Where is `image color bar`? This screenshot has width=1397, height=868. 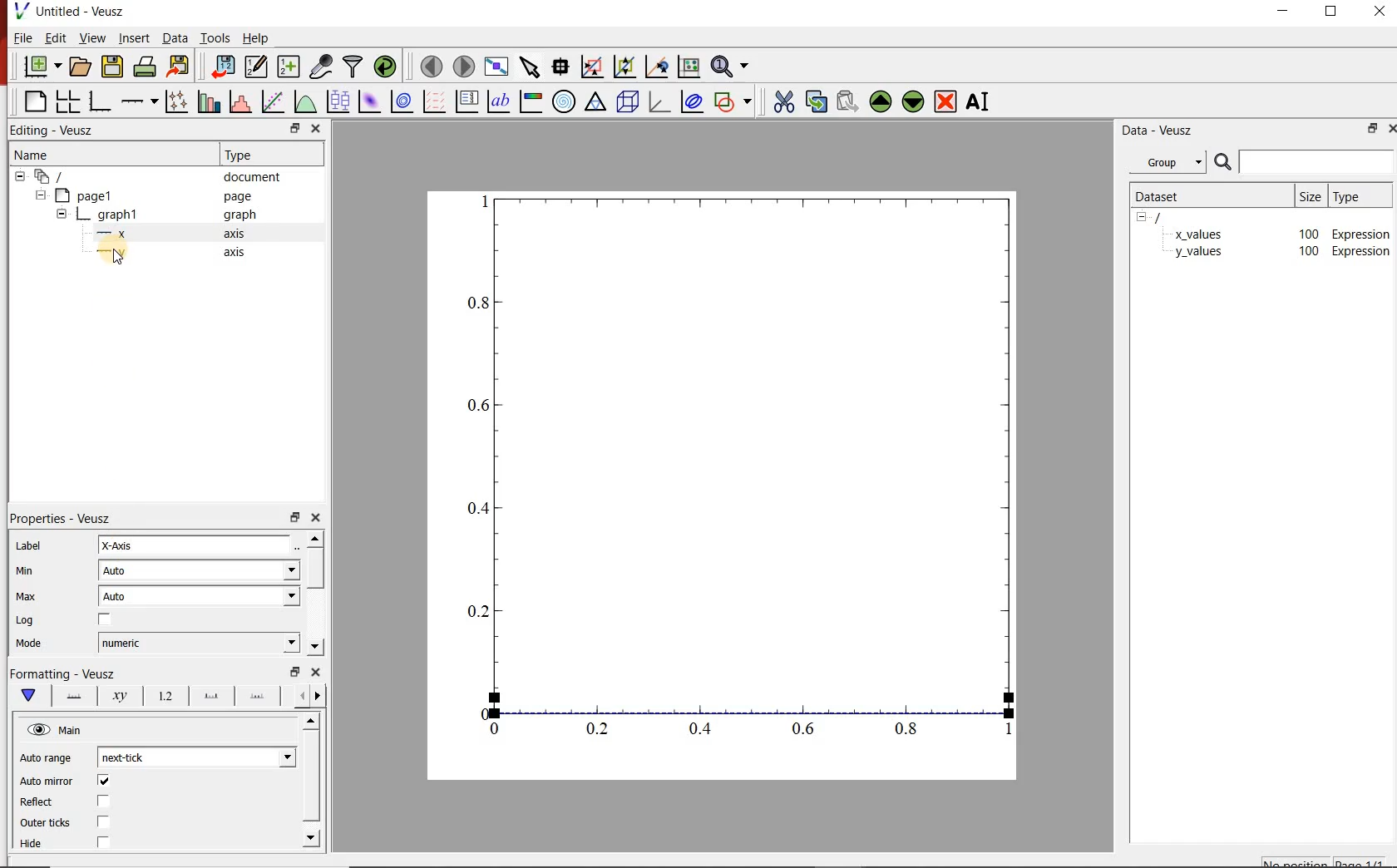
image color bar is located at coordinates (531, 102).